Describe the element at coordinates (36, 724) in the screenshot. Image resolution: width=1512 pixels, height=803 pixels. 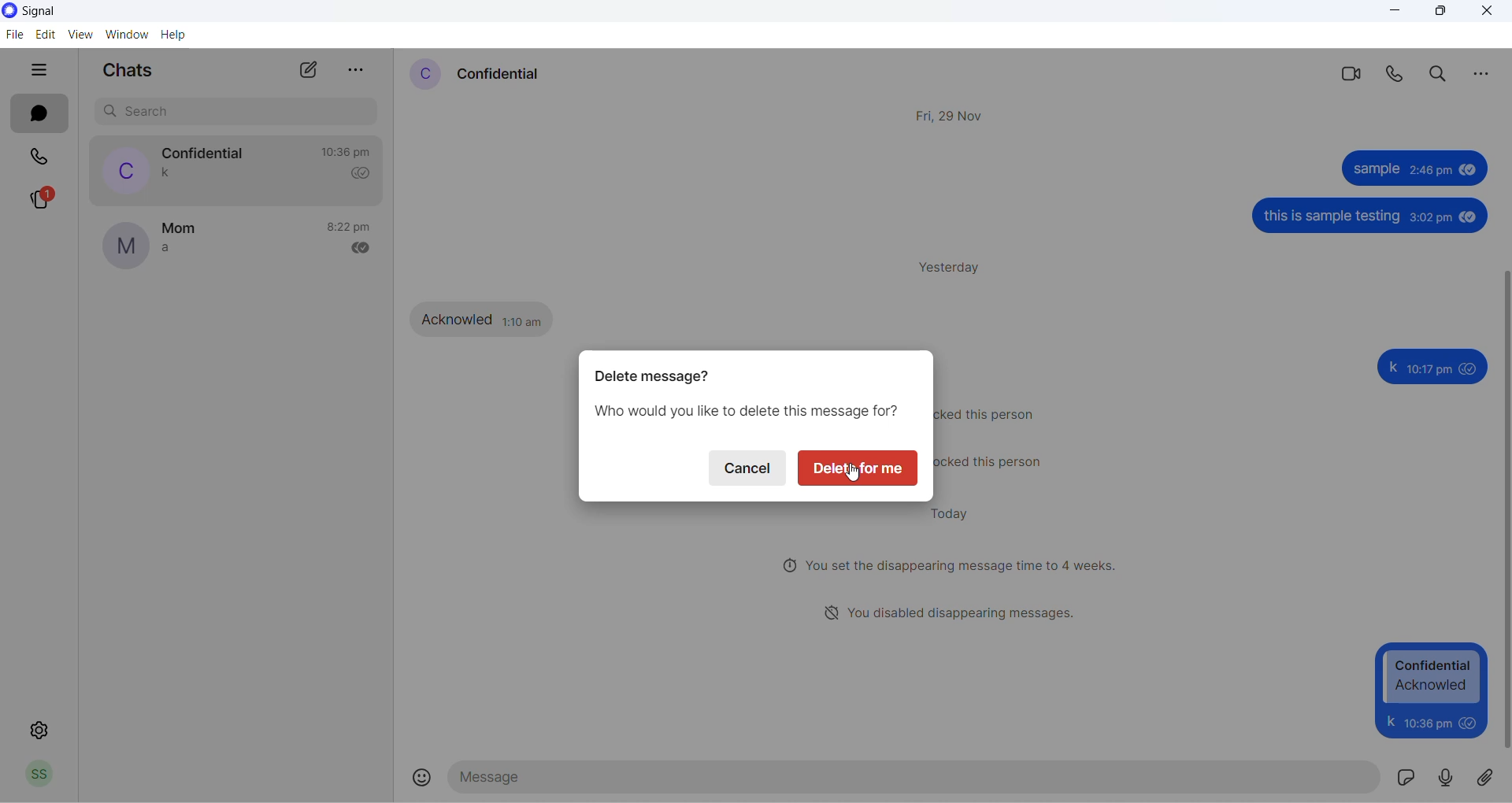
I see `settings` at that location.